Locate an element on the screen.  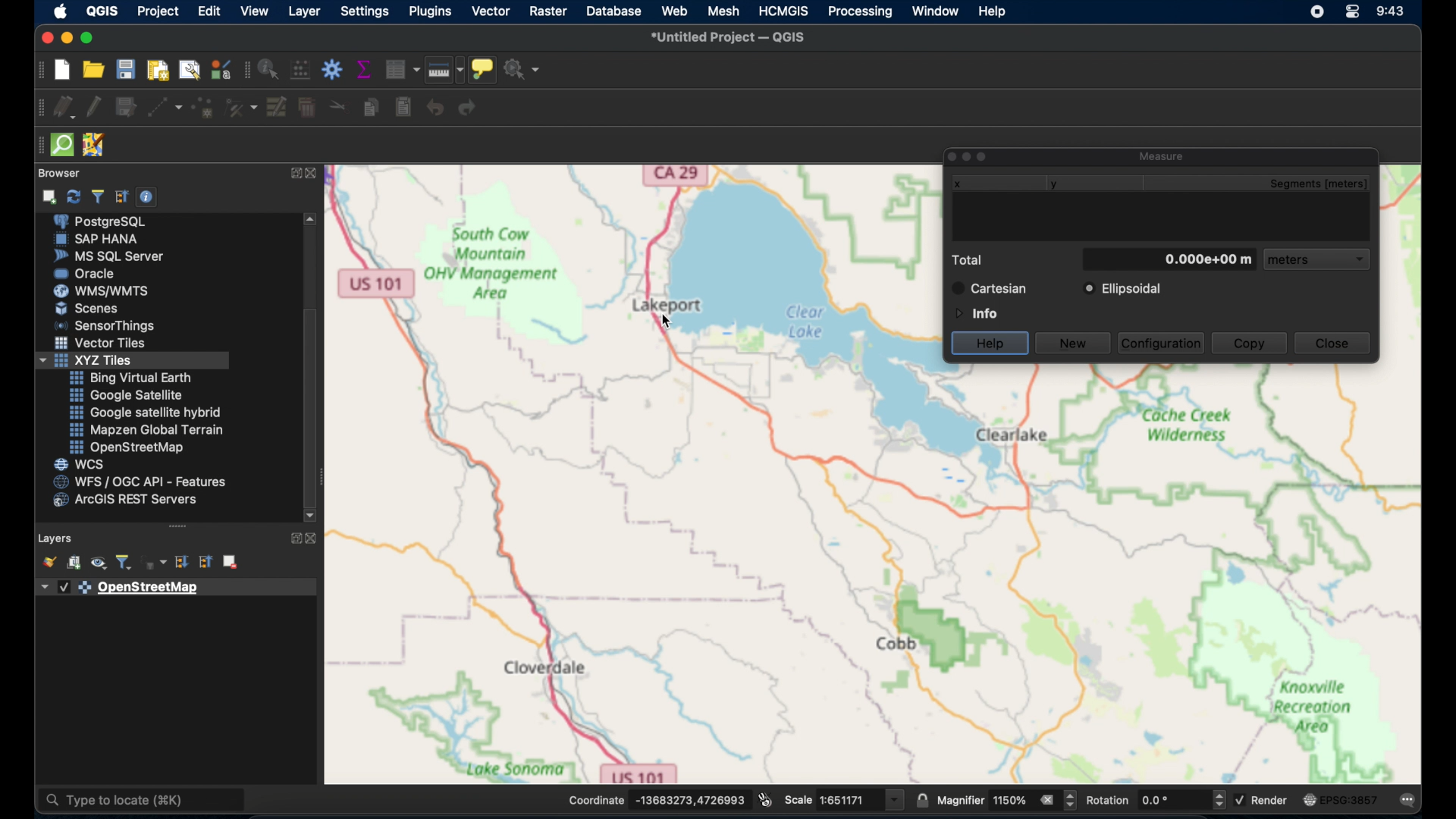
ellipsoidal radio button is located at coordinates (1122, 289).